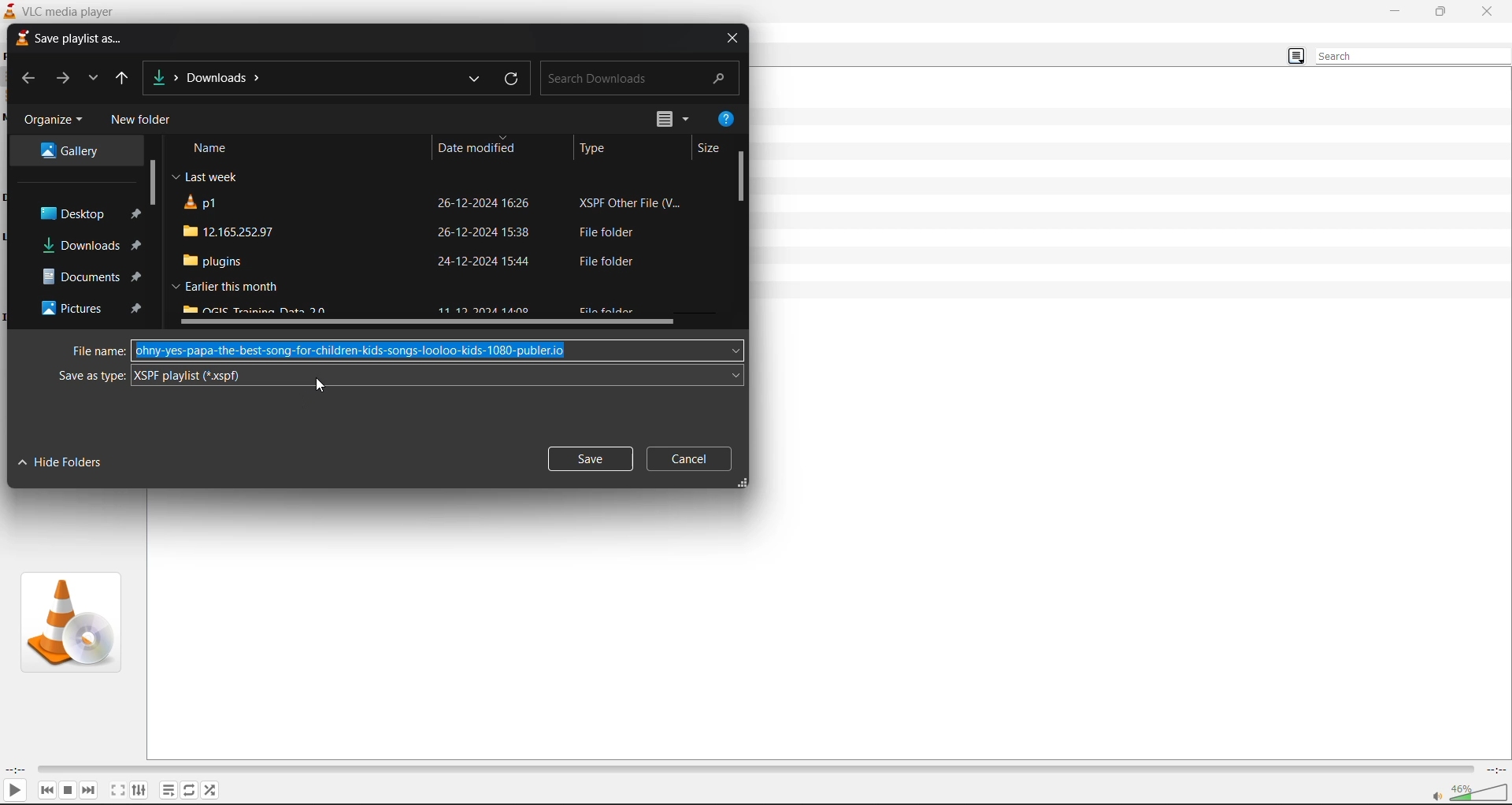  What do you see at coordinates (439, 351) in the screenshot?
I see `add file name` at bounding box center [439, 351].